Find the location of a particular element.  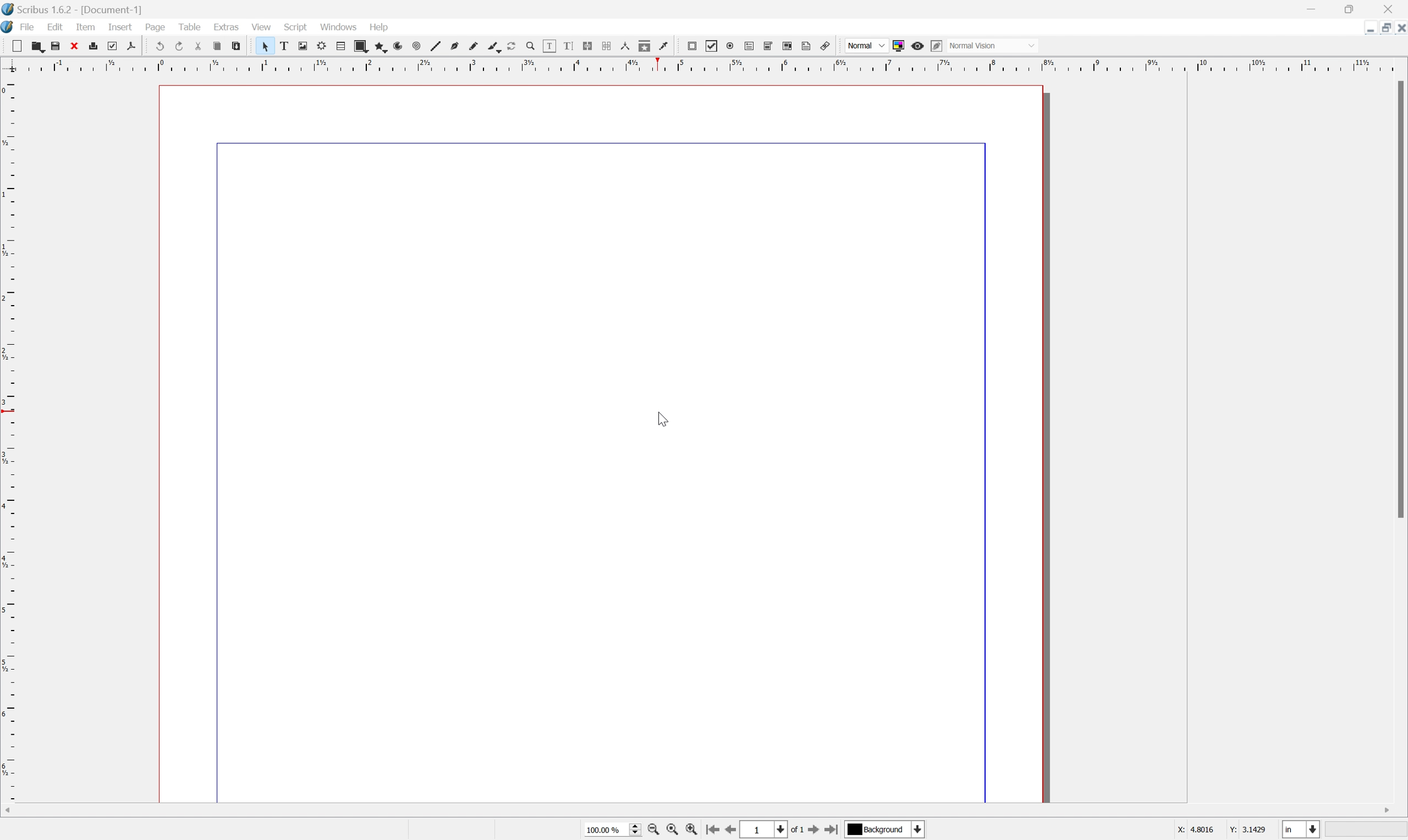

bezier curve is located at coordinates (455, 46).